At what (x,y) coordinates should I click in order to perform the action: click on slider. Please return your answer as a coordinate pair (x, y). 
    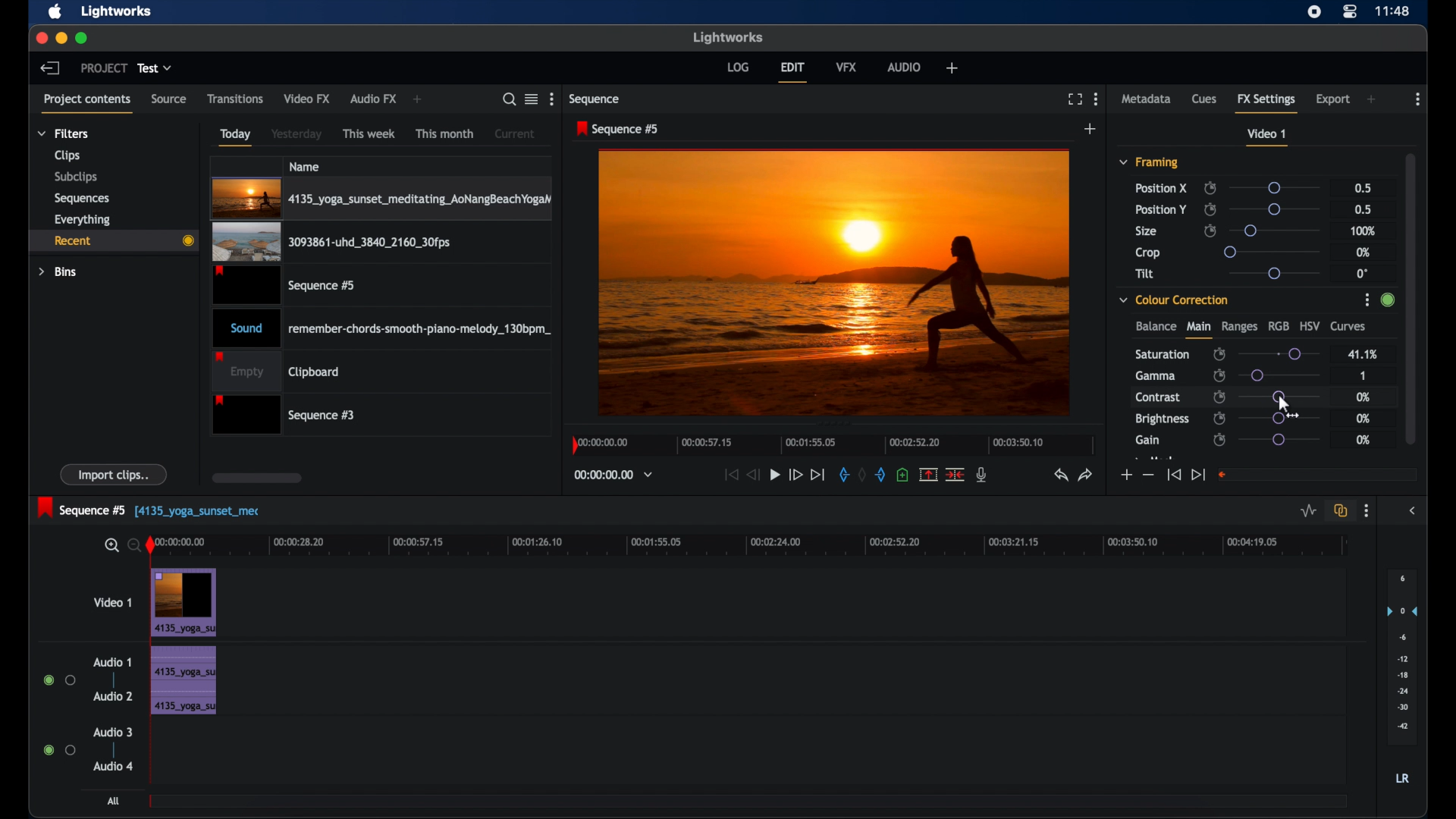
    Looking at the image, I should click on (1274, 273).